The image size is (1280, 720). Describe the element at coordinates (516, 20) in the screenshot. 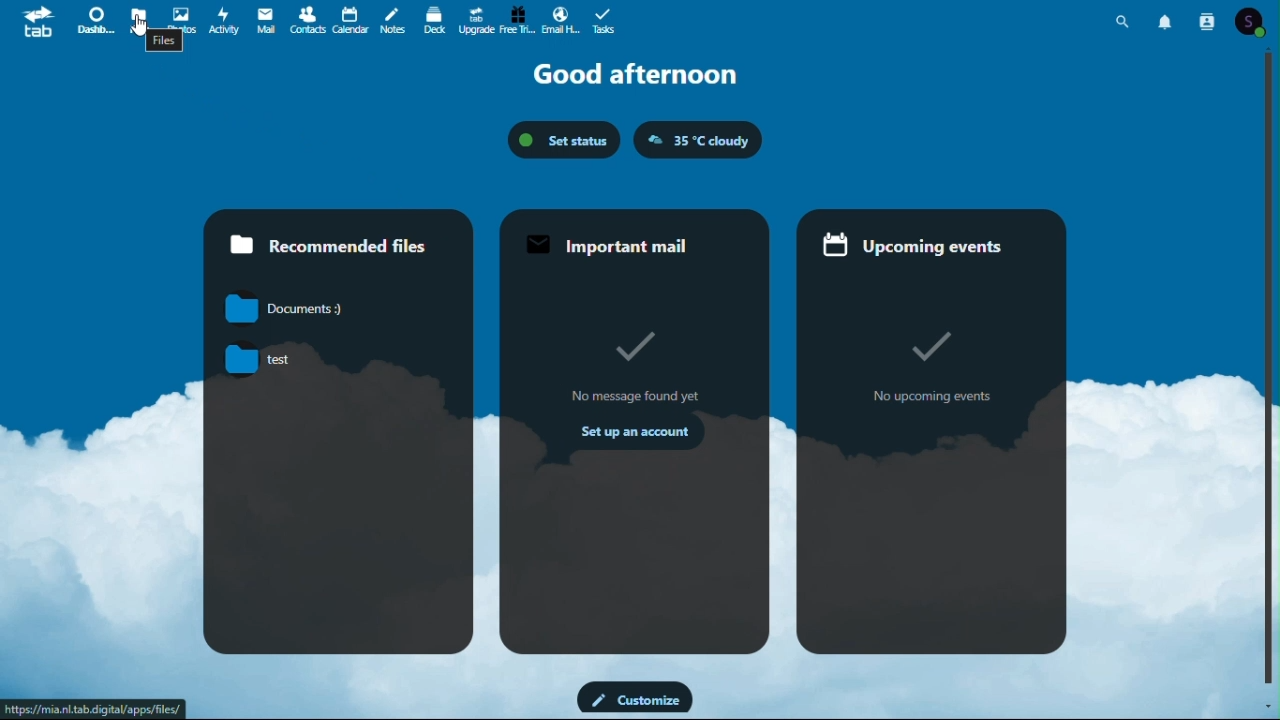

I see `Free trial` at that location.